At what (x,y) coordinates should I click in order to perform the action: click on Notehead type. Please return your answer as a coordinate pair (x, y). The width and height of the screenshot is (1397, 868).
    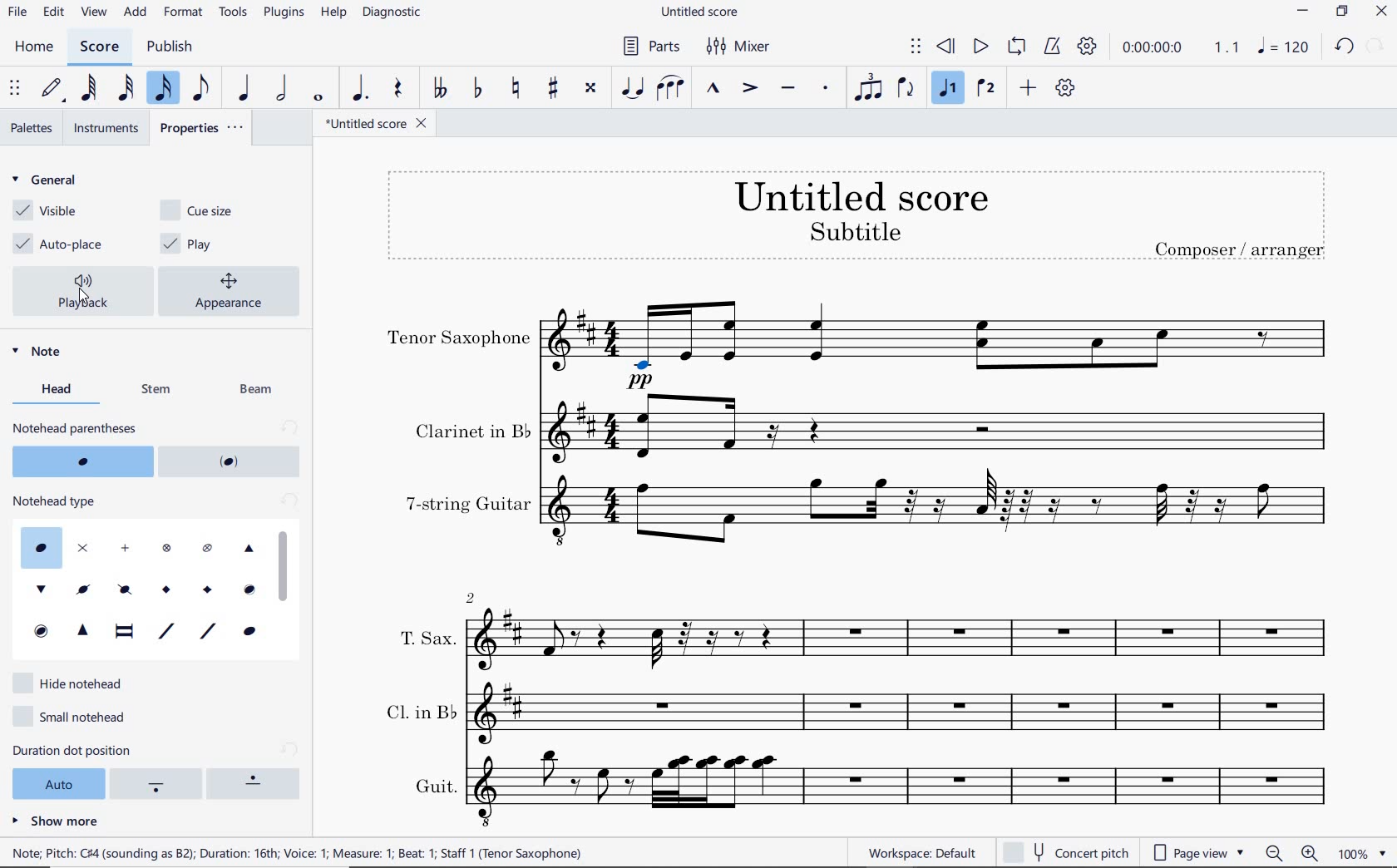
    Looking at the image, I should click on (134, 586).